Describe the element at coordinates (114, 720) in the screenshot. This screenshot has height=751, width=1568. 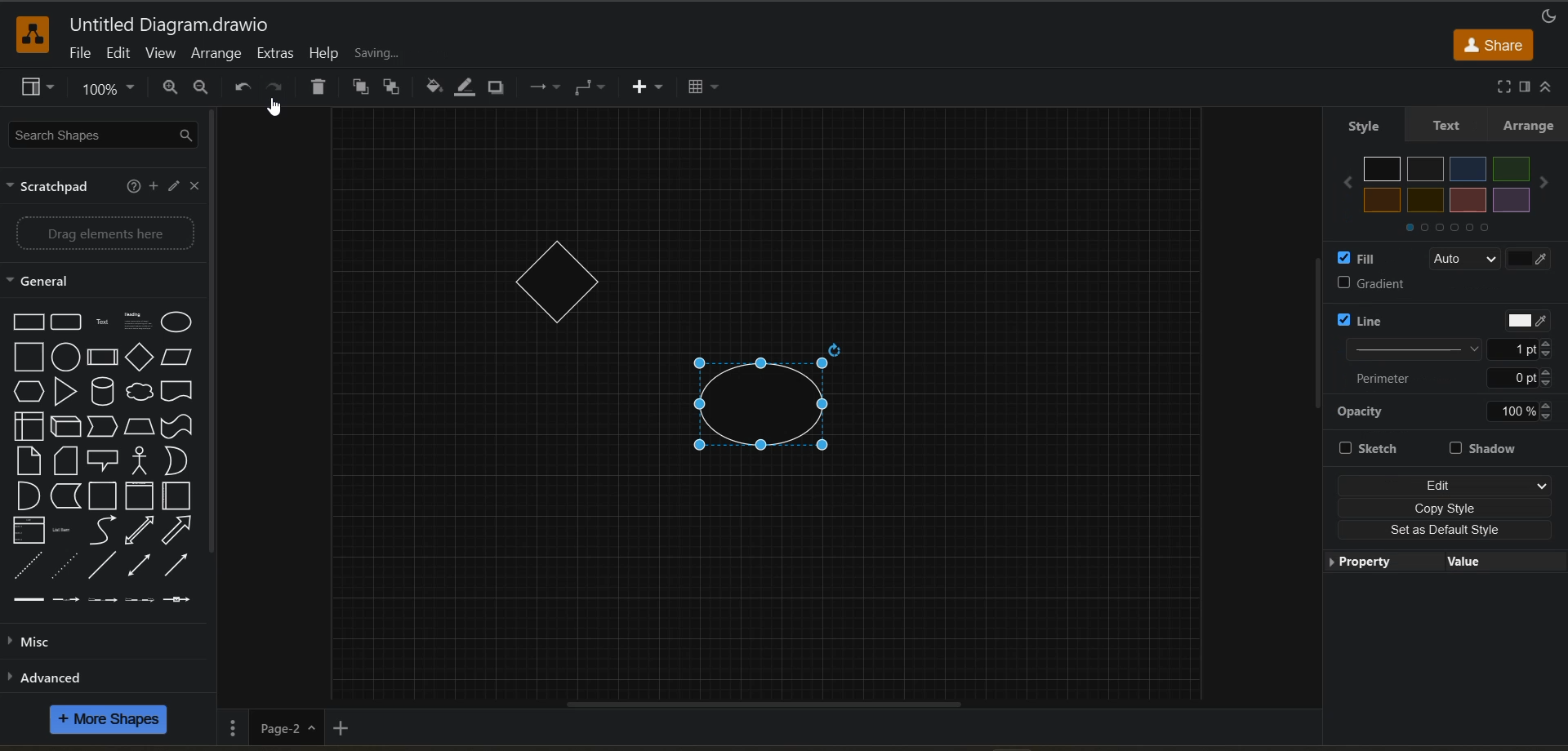
I see `more shapes` at that location.